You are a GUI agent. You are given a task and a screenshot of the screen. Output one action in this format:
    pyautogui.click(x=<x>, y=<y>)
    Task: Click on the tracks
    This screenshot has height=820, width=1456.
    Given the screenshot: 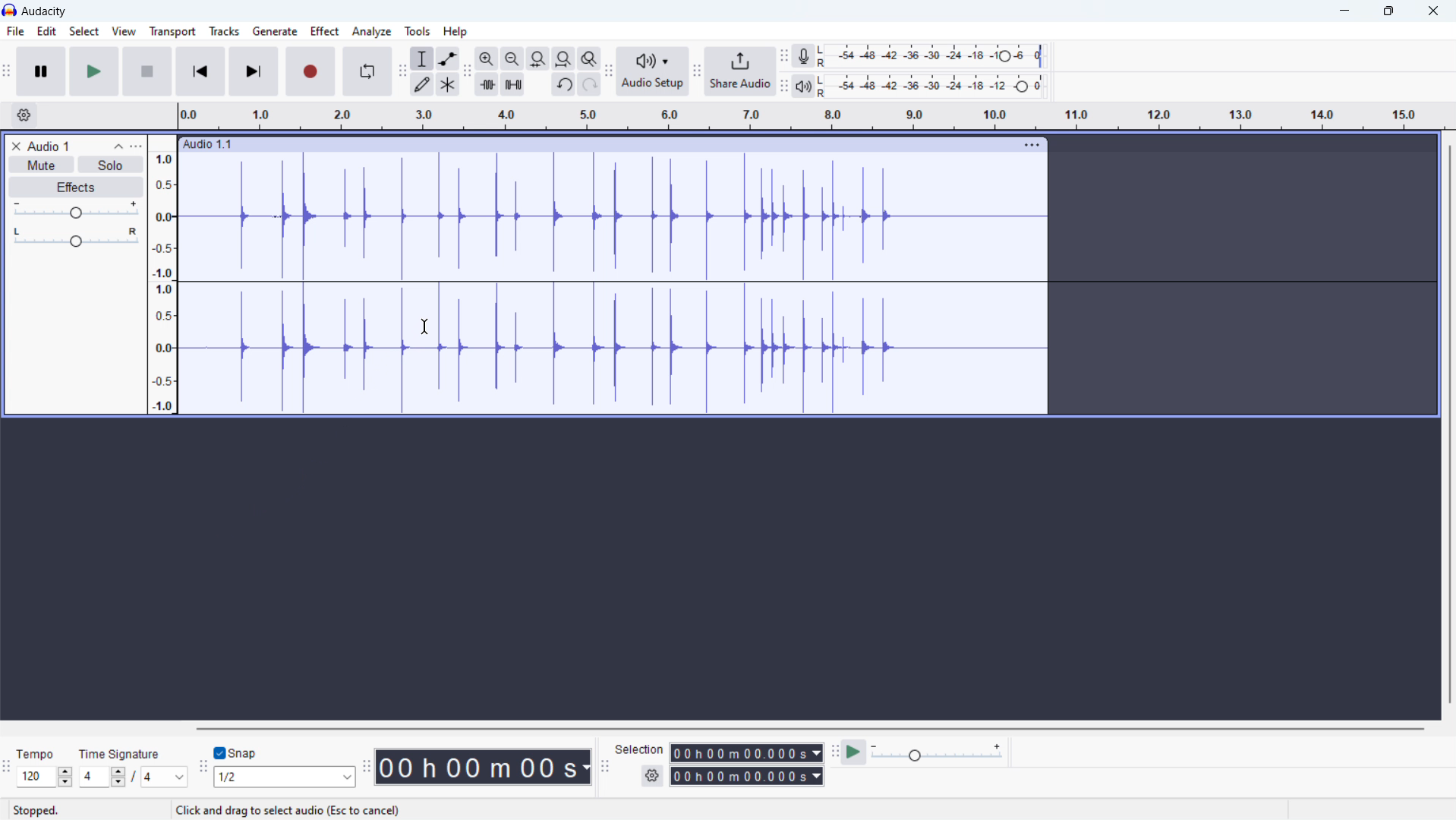 What is the action you would take?
    pyautogui.click(x=224, y=31)
    